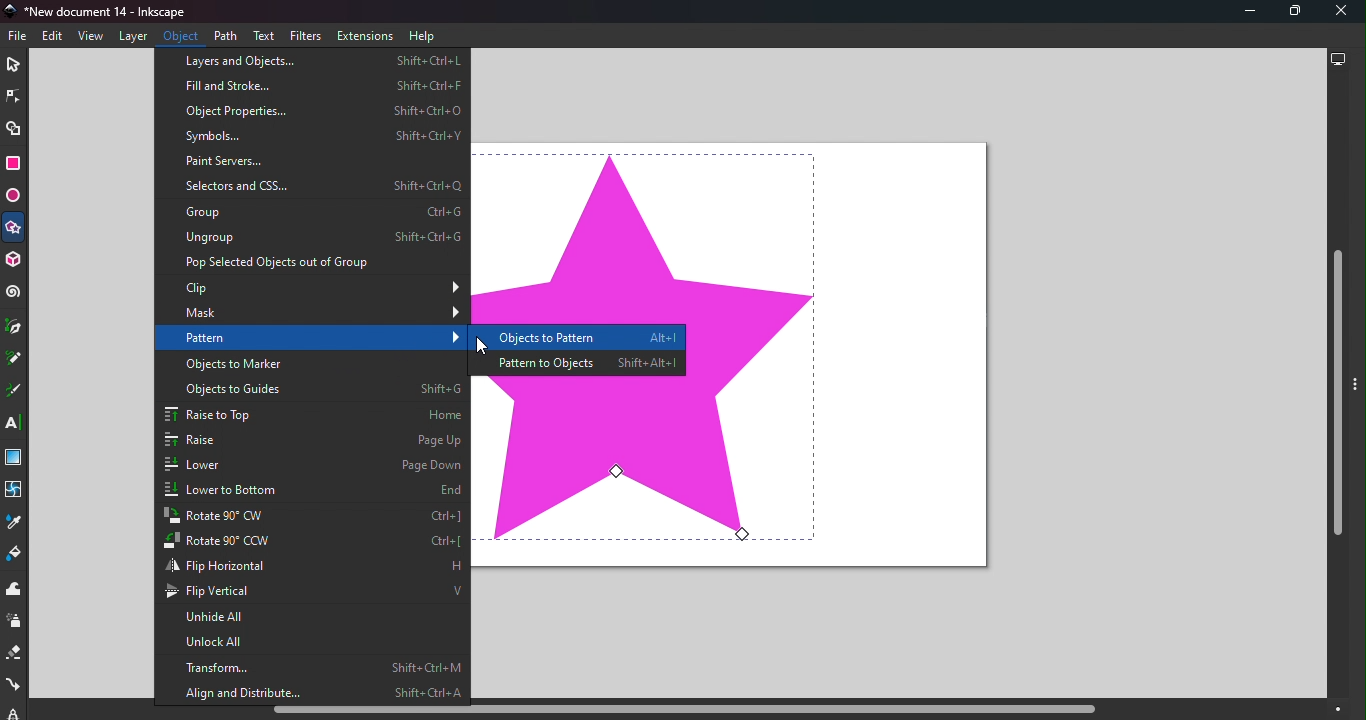 The image size is (1366, 720). Describe the element at coordinates (644, 458) in the screenshot. I see `shape` at that location.